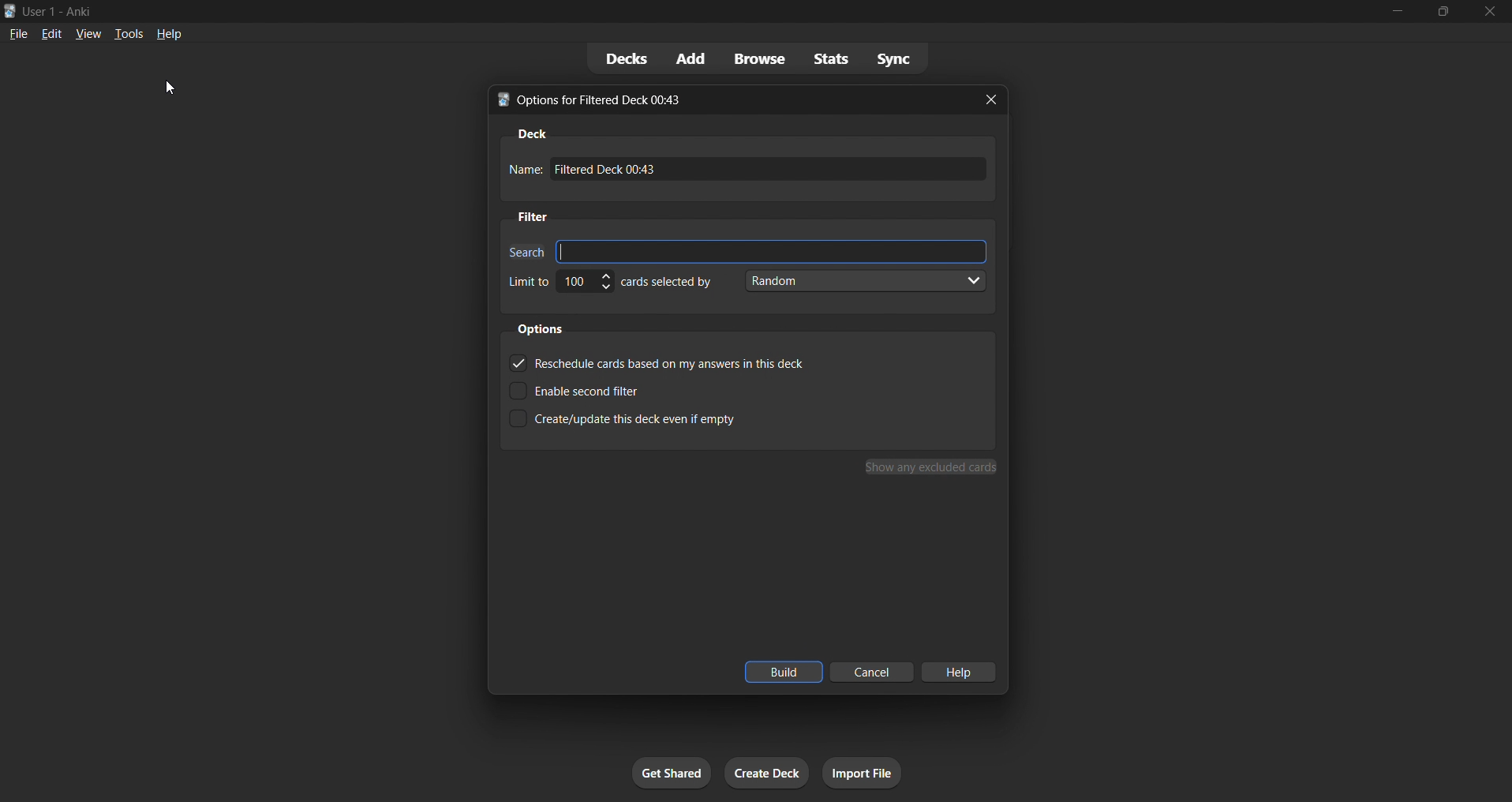 The height and width of the screenshot is (802, 1512). I want to click on title bar, so click(649, 12).